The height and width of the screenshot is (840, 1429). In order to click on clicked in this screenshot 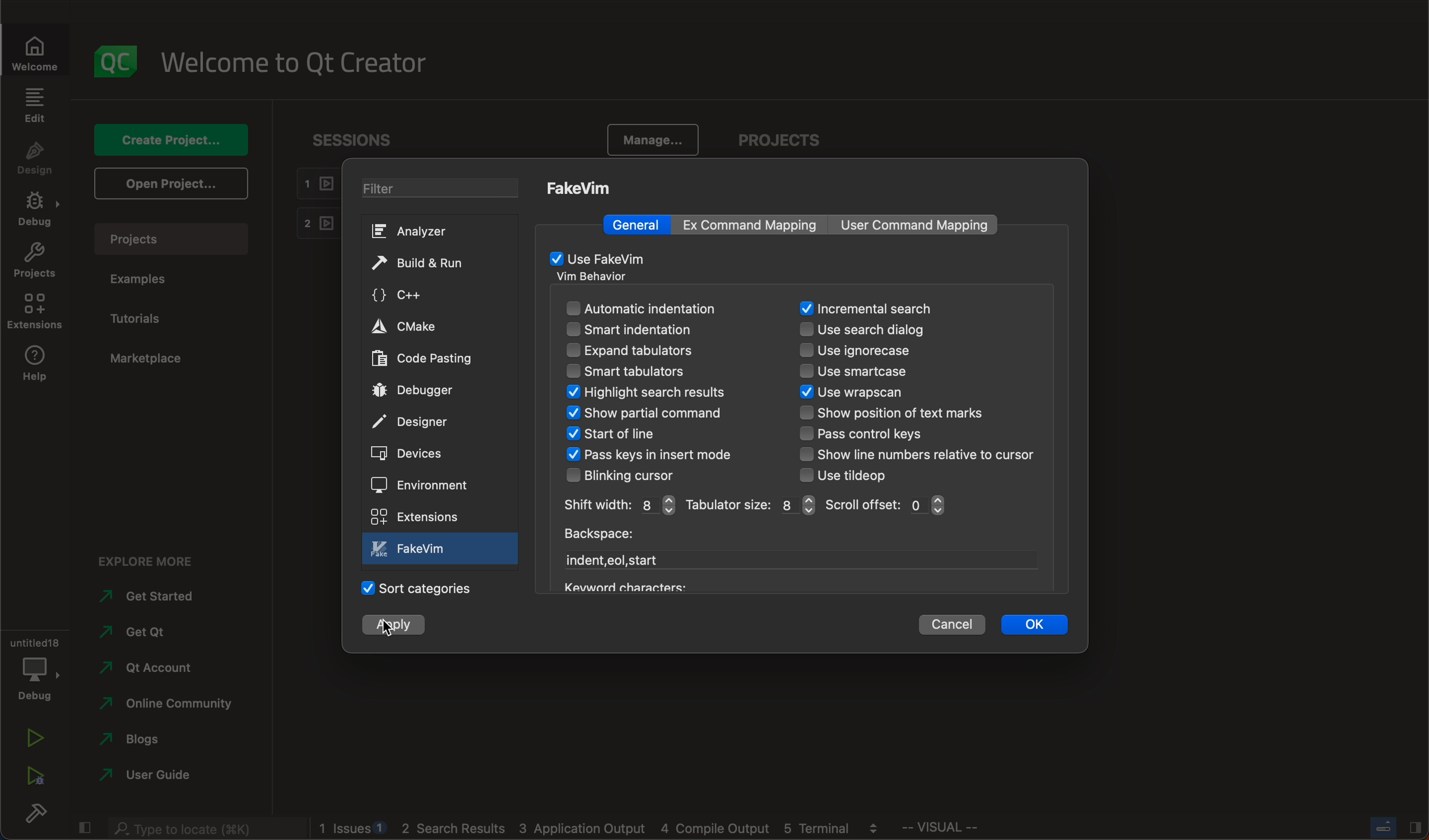, I will do `click(395, 626)`.